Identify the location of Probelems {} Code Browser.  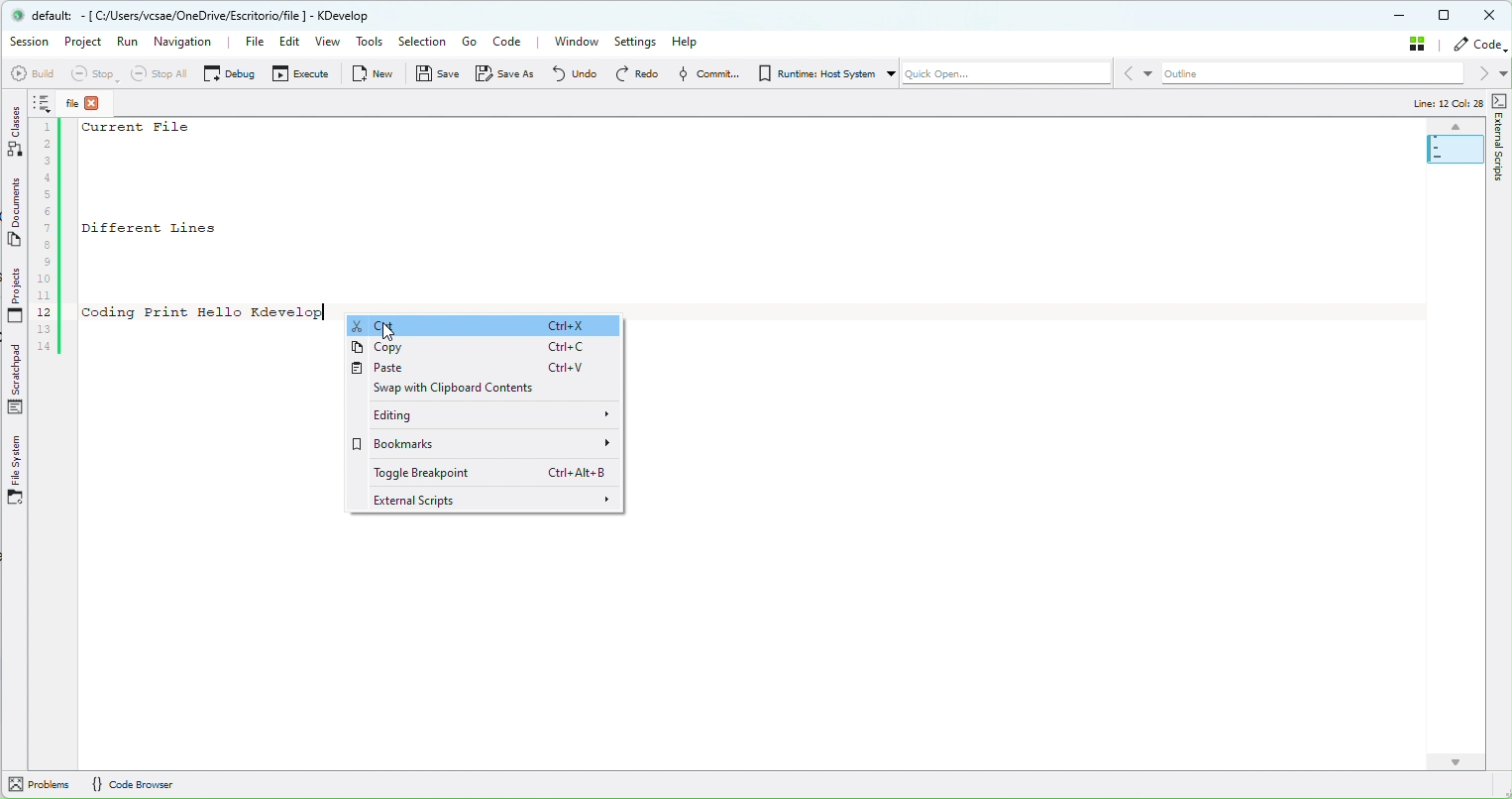
(97, 785).